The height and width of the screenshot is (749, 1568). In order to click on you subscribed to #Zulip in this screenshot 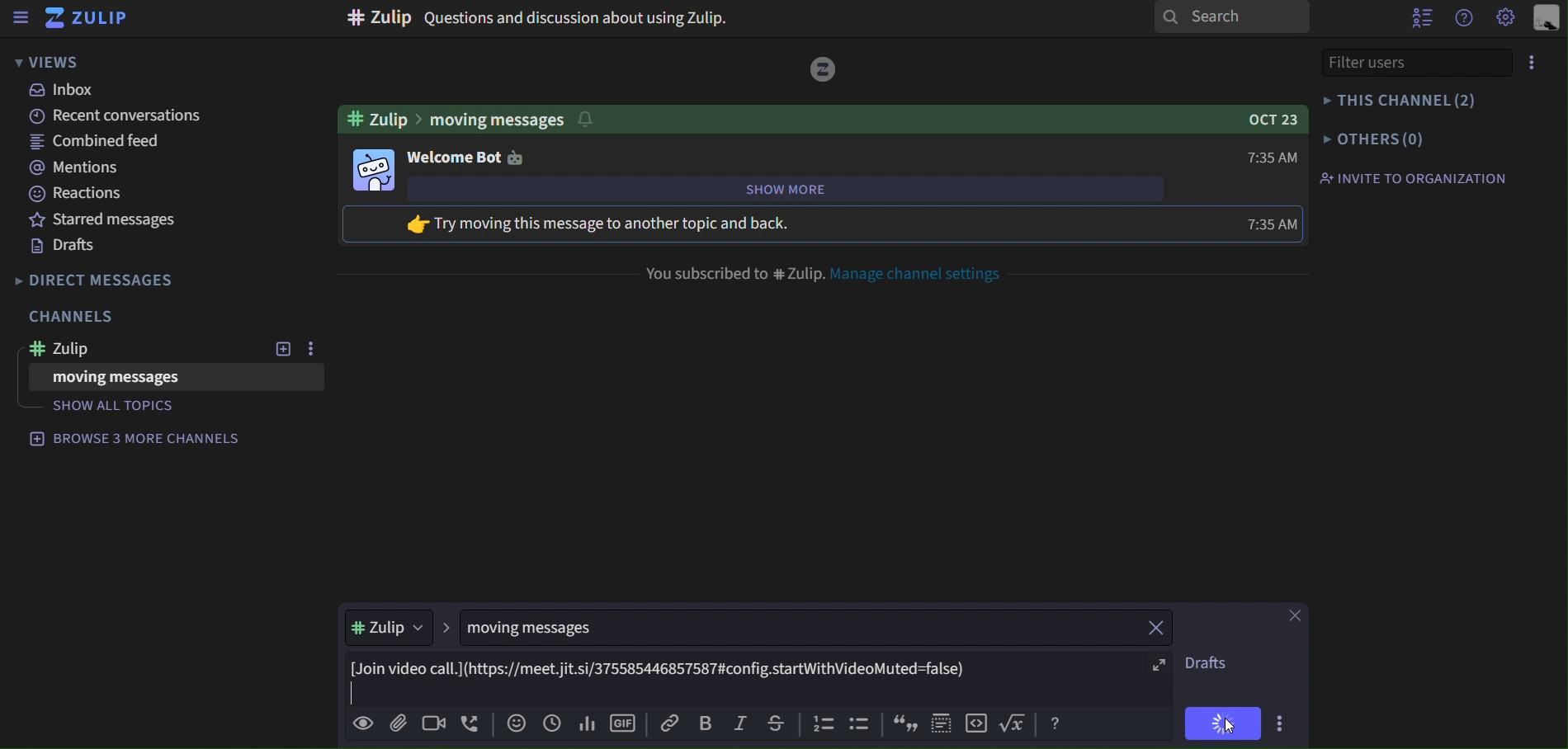, I will do `click(732, 271)`.